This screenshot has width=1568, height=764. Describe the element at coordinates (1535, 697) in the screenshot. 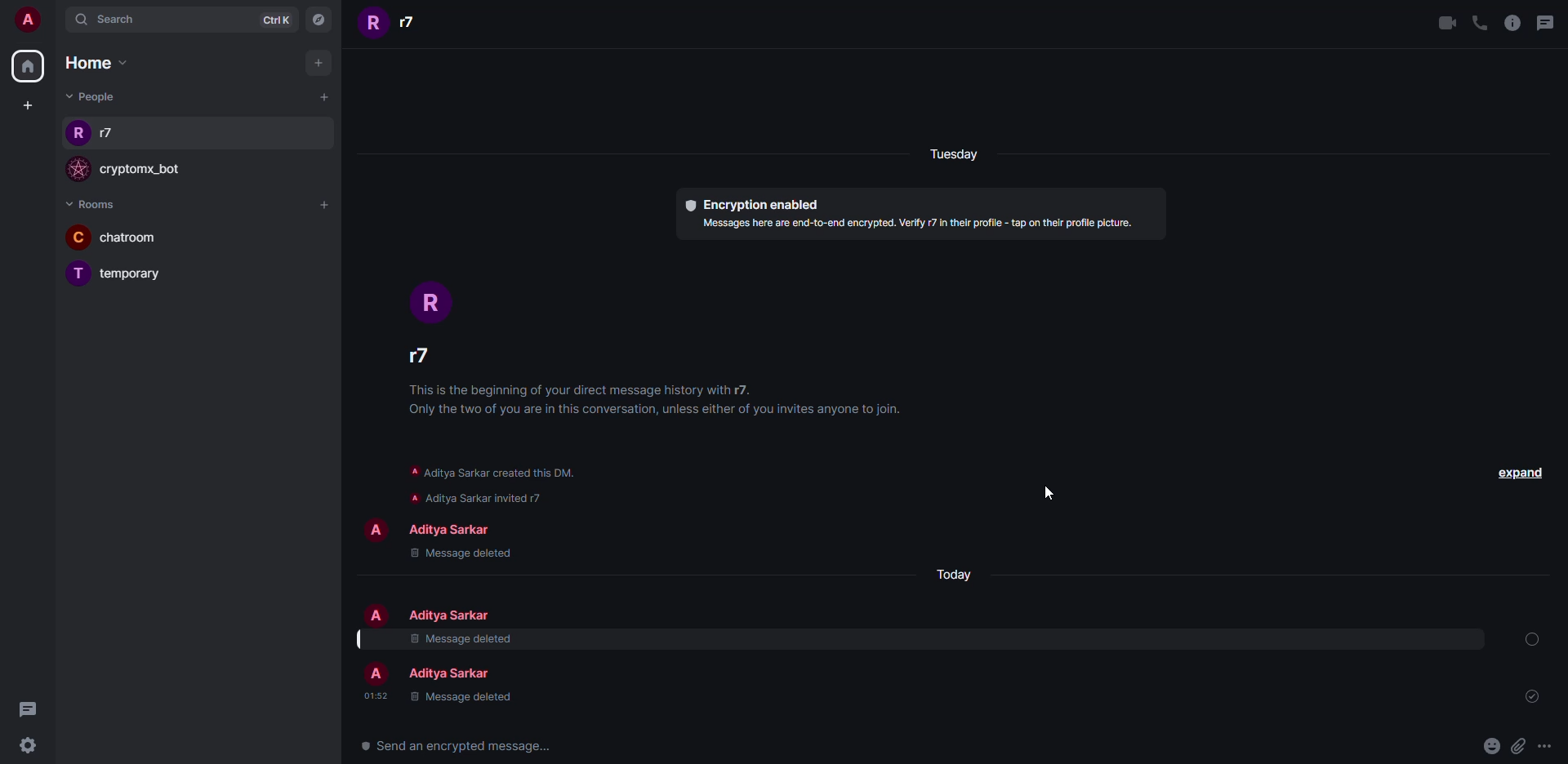

I see `sent` at that location.